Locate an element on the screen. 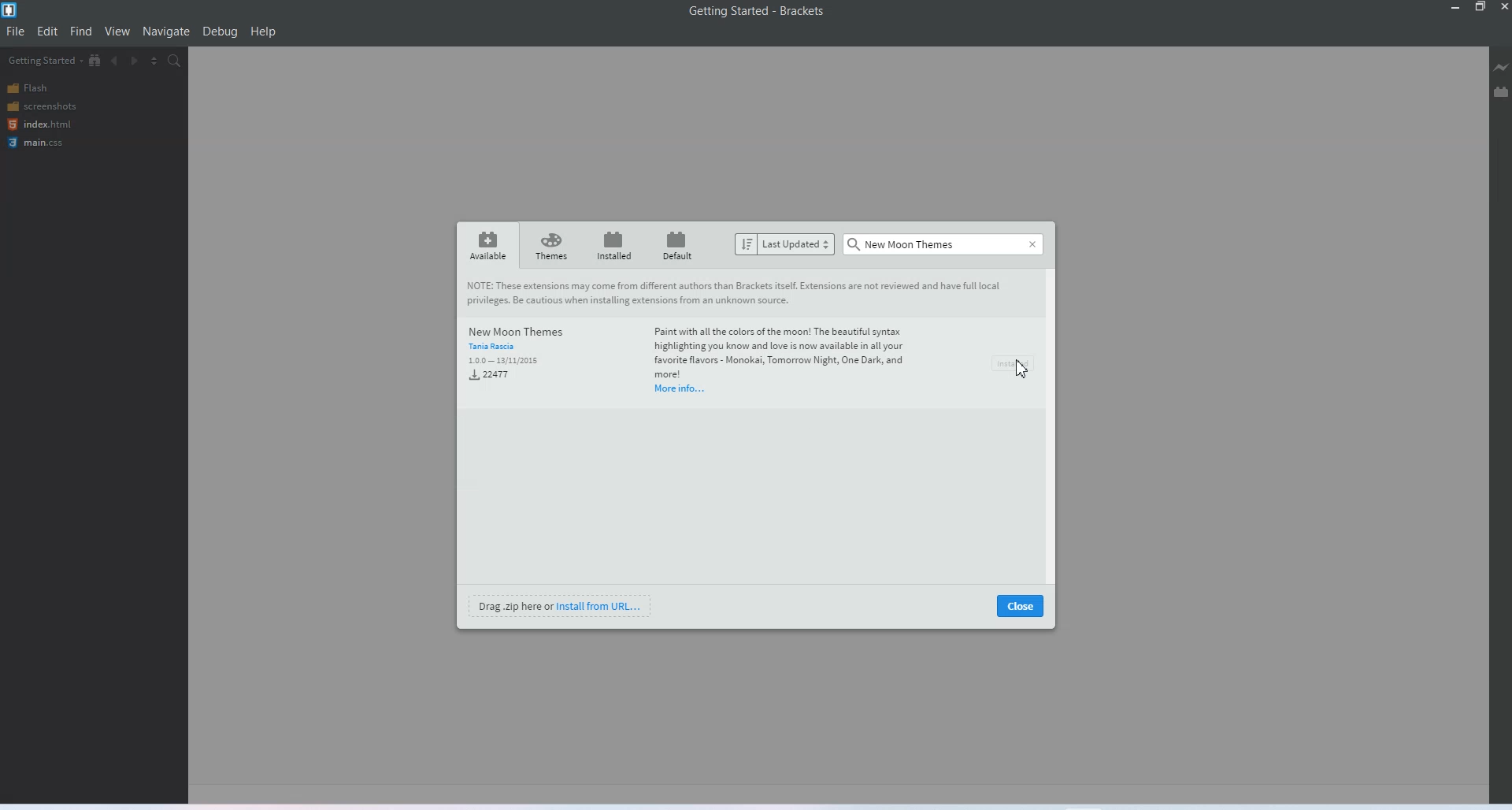 This screenshot has width=1512, height=810. Live preview is located at coordinates (1503, 66).